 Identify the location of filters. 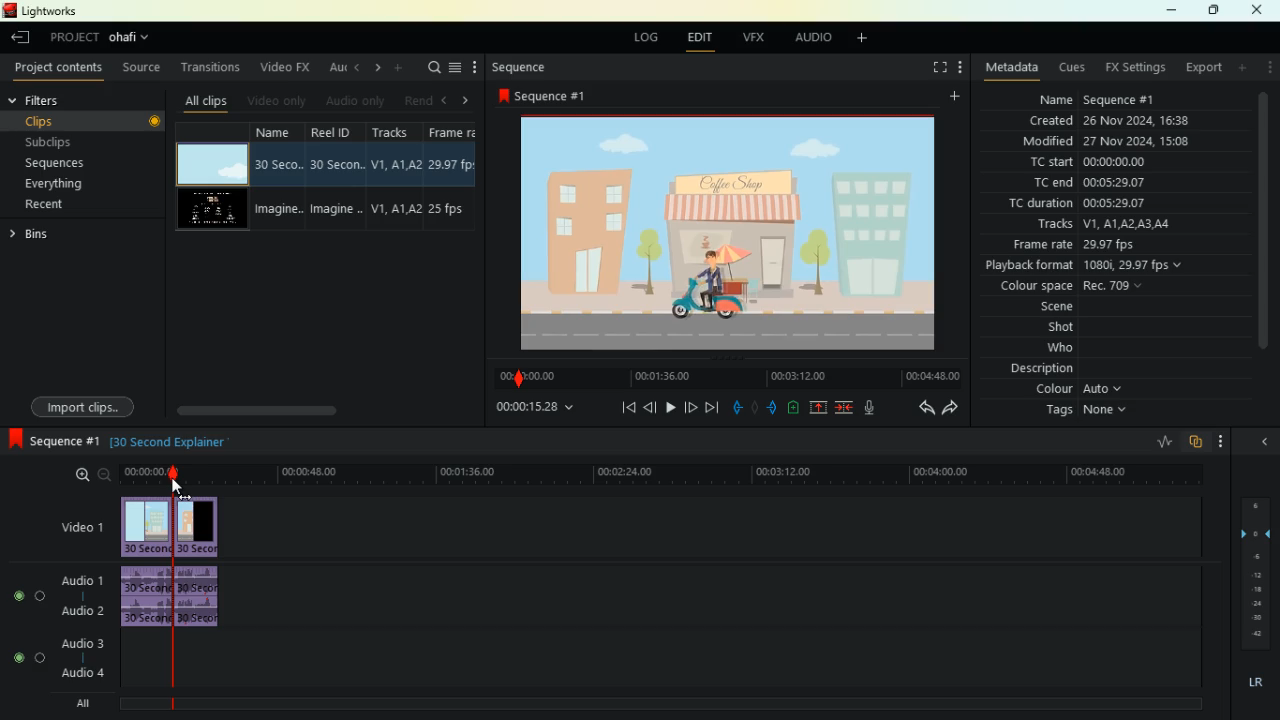
(59, 101).